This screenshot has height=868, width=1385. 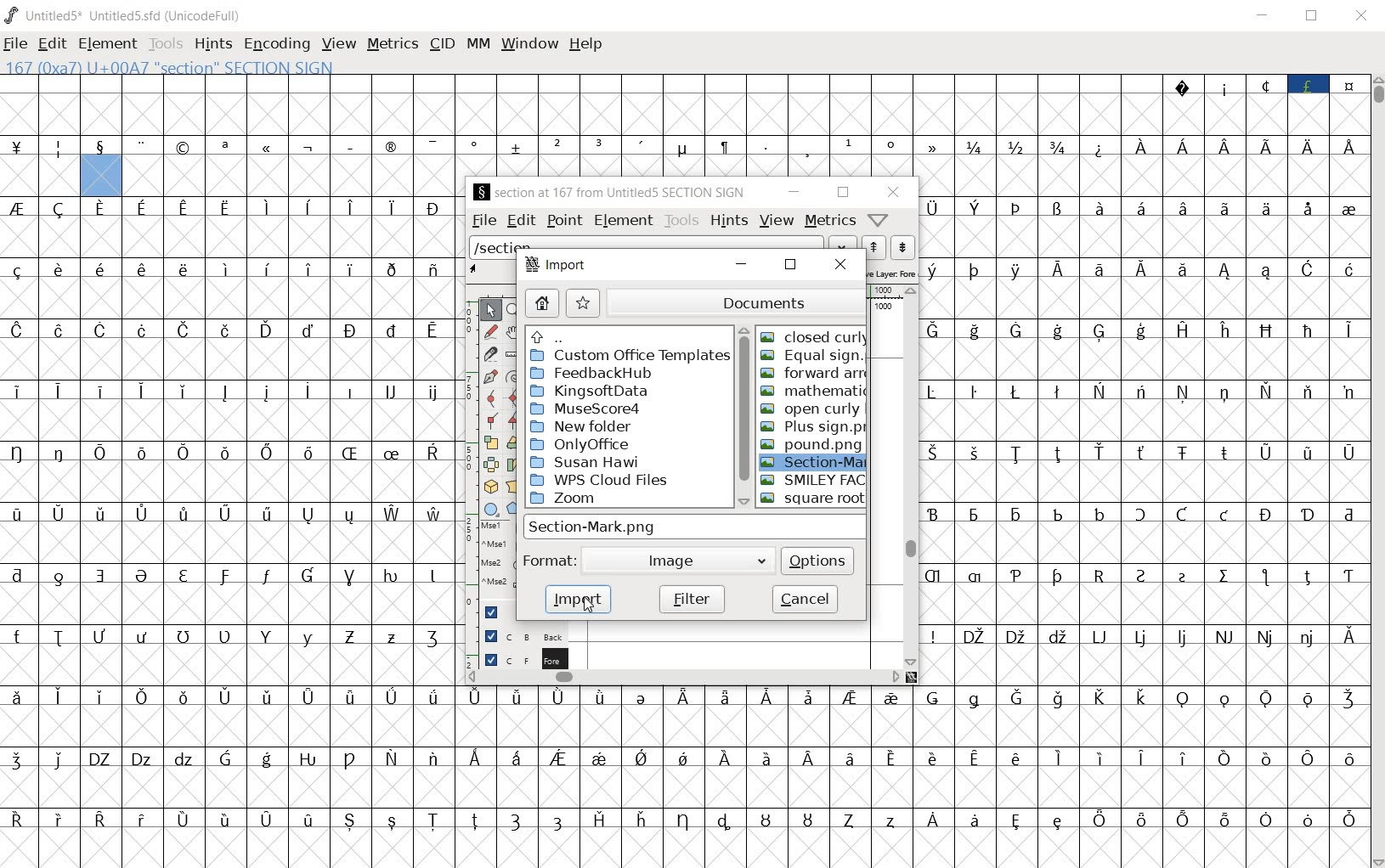 I want to click on perform a perspective transformation on the selection, so click(x=514, y=485).